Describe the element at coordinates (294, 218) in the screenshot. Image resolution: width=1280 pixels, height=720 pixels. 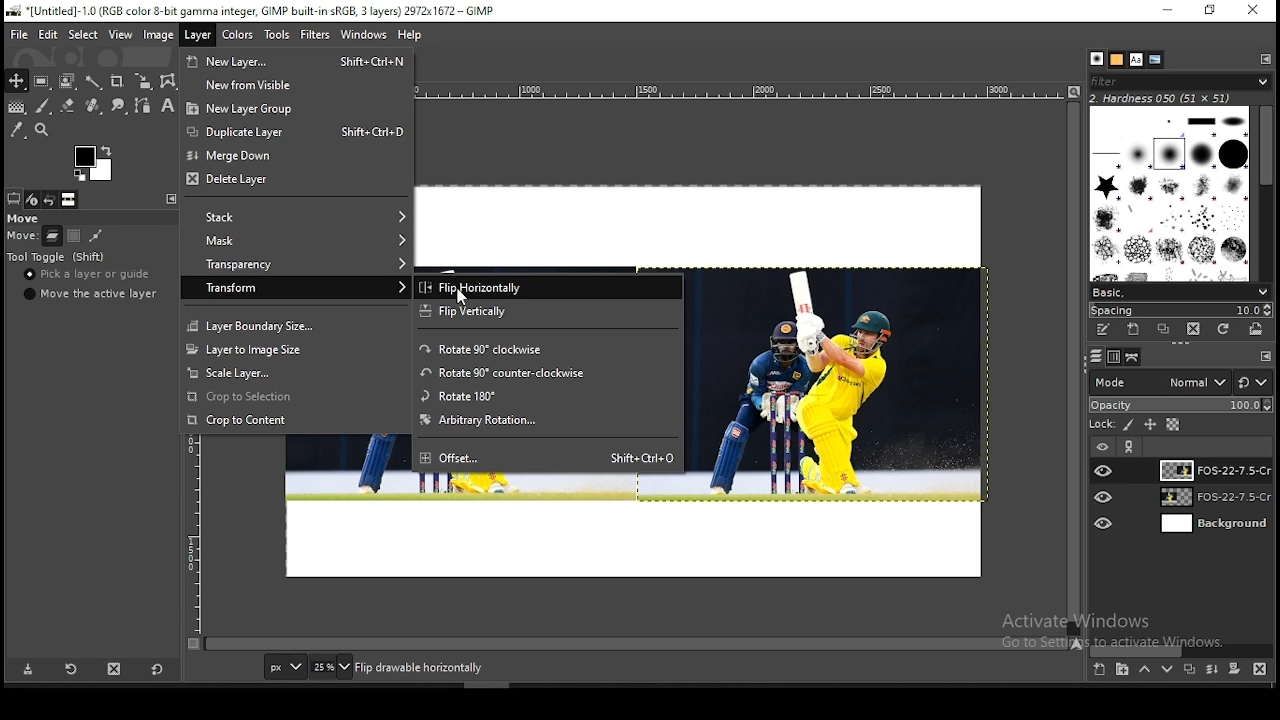
I see `stack` at that location.